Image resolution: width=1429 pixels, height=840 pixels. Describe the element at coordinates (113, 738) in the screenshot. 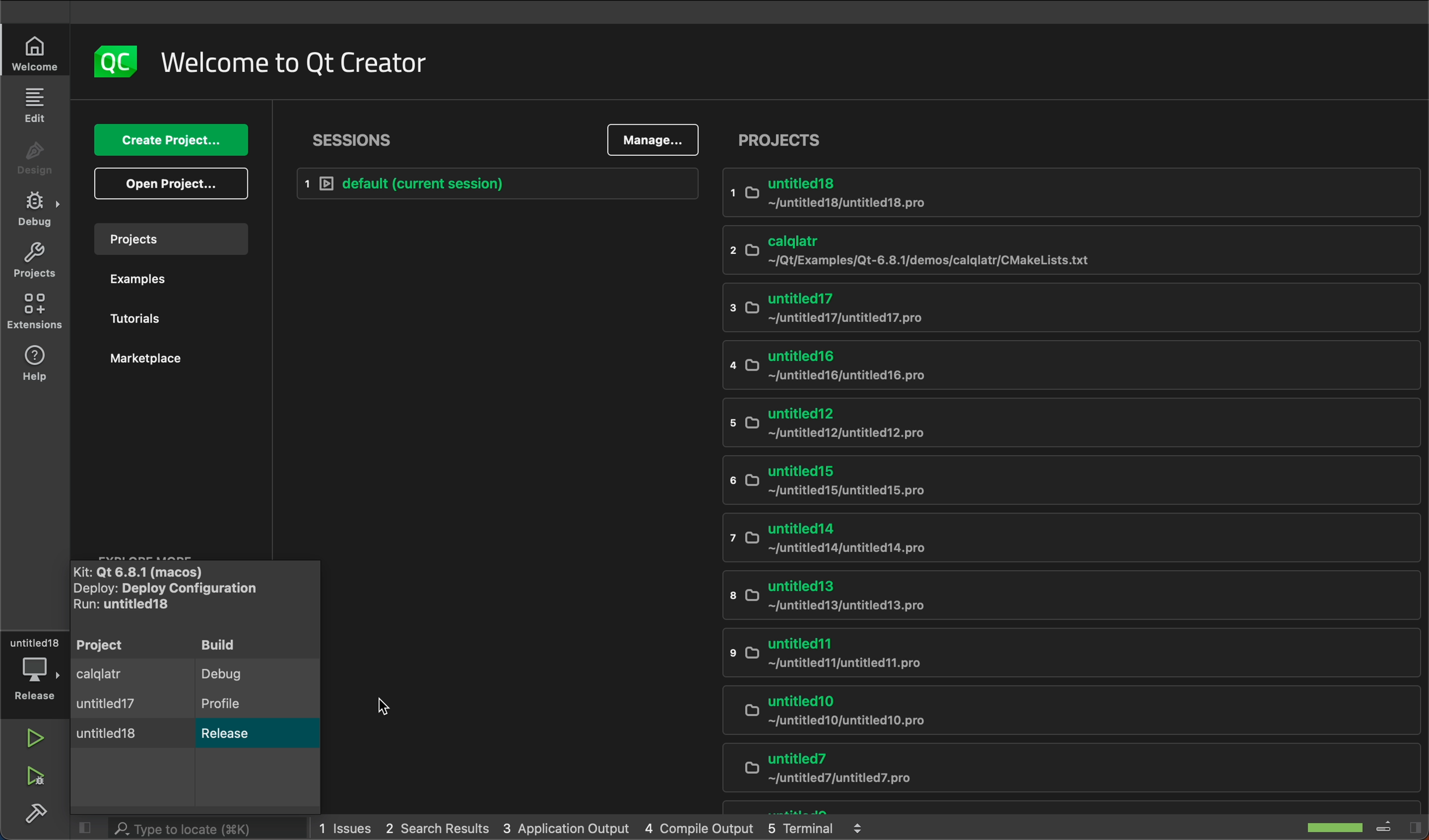

I see `untitled 18` at that location.